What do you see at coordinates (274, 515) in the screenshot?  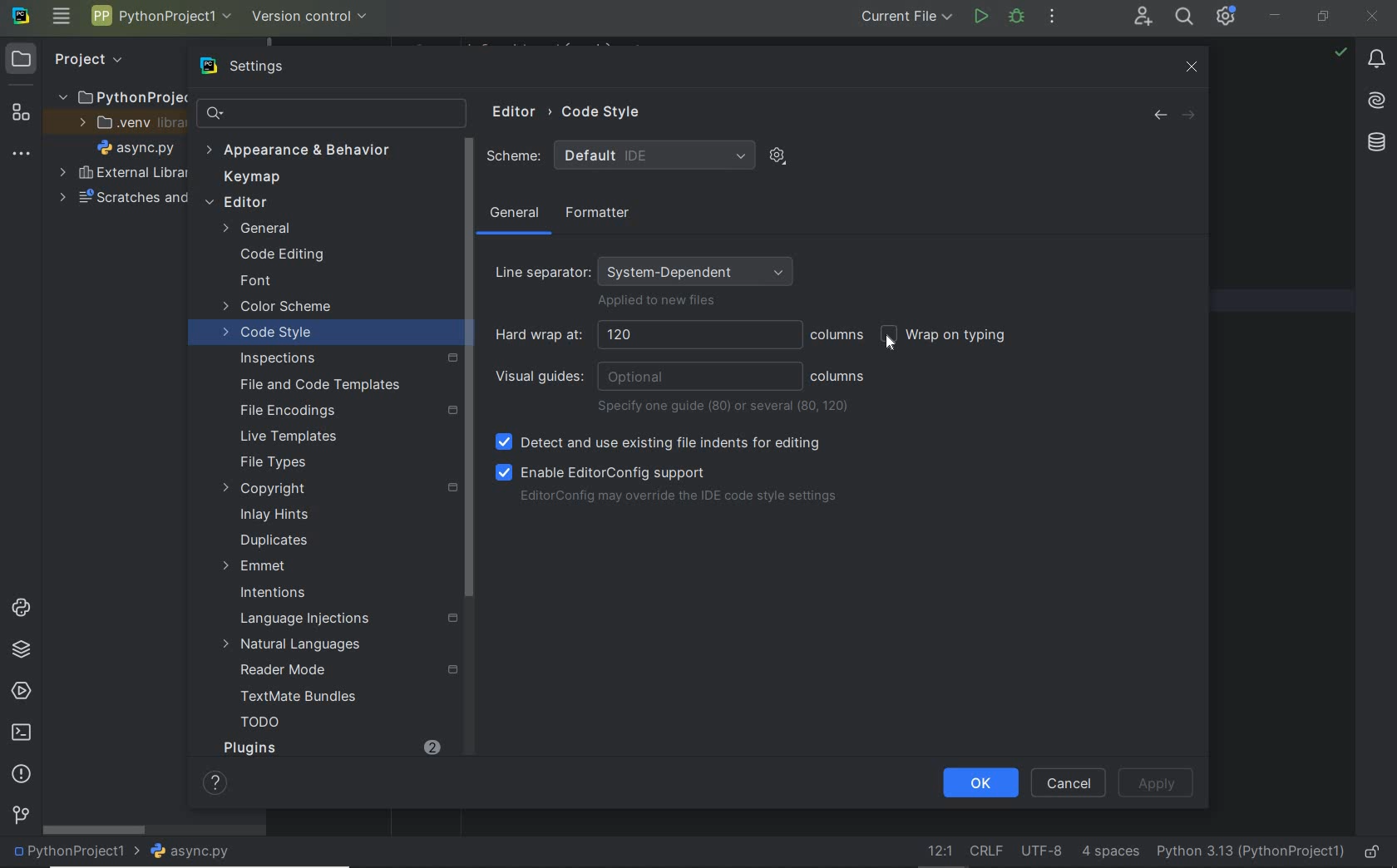 I see `Inlay Hints` at bounding box center [274, 515].